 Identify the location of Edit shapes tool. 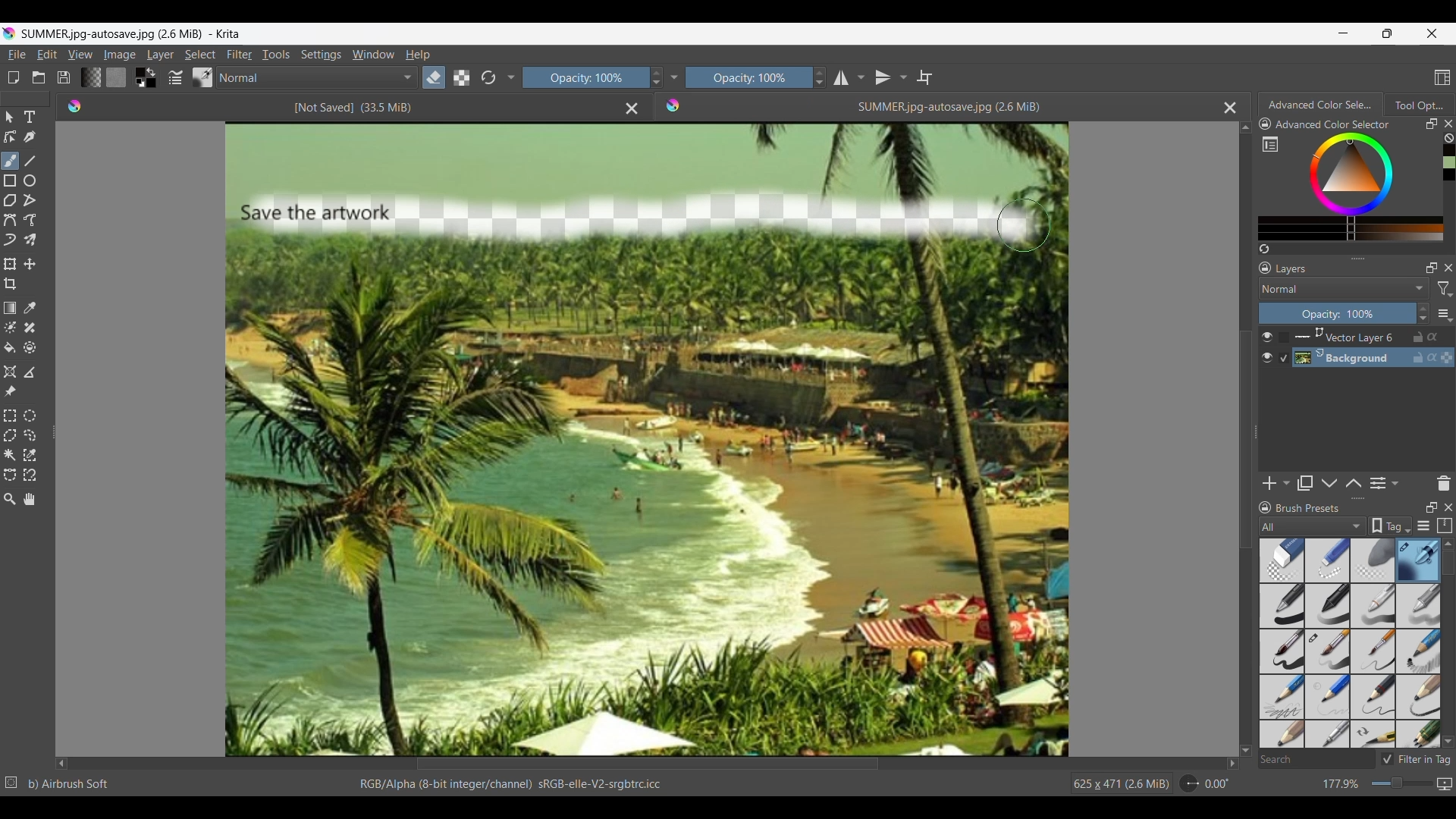
(11, 136).